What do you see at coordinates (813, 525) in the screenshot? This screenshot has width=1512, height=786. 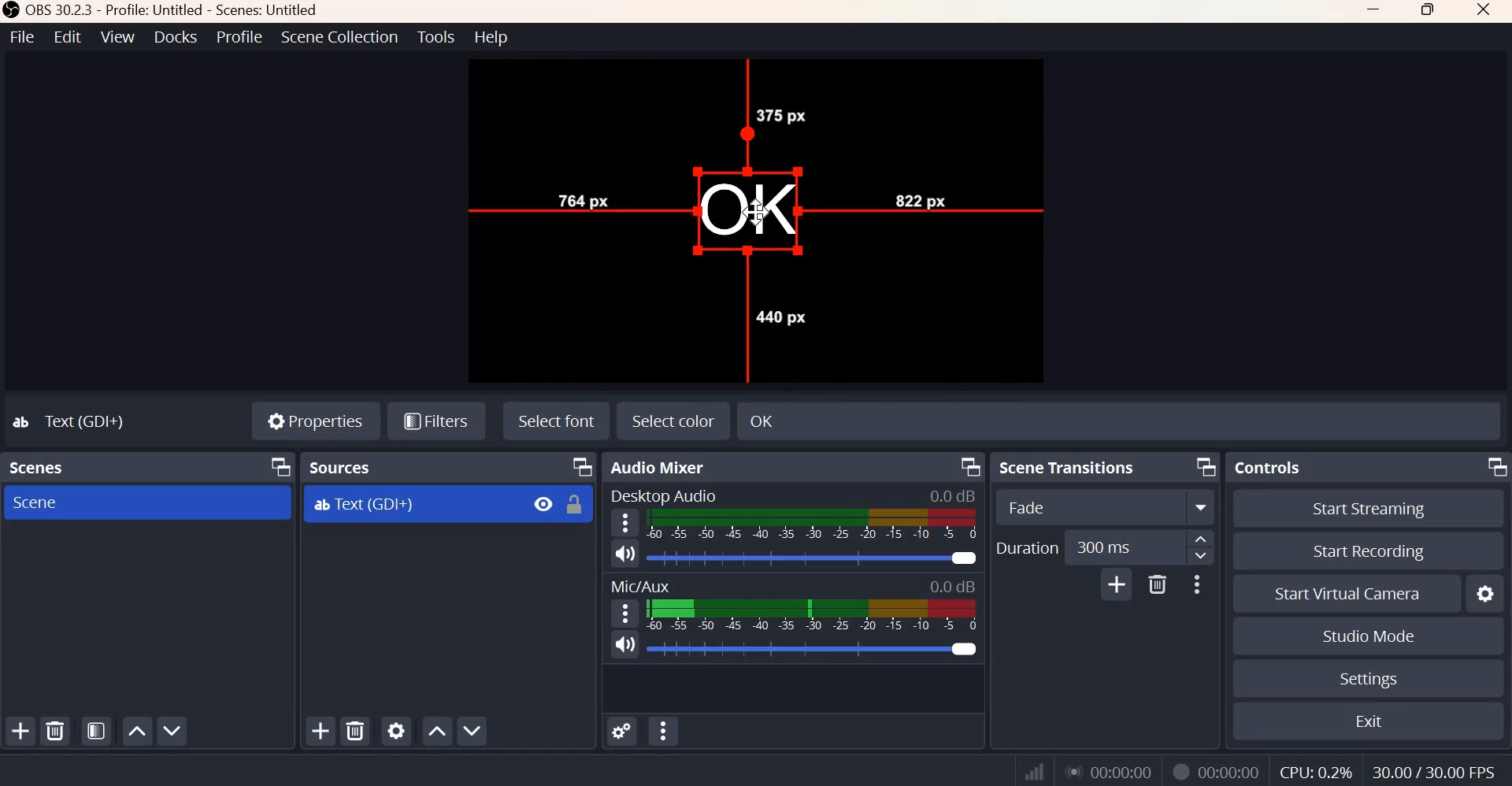 I see `Volume Meter` at bounding box center [813, 525].